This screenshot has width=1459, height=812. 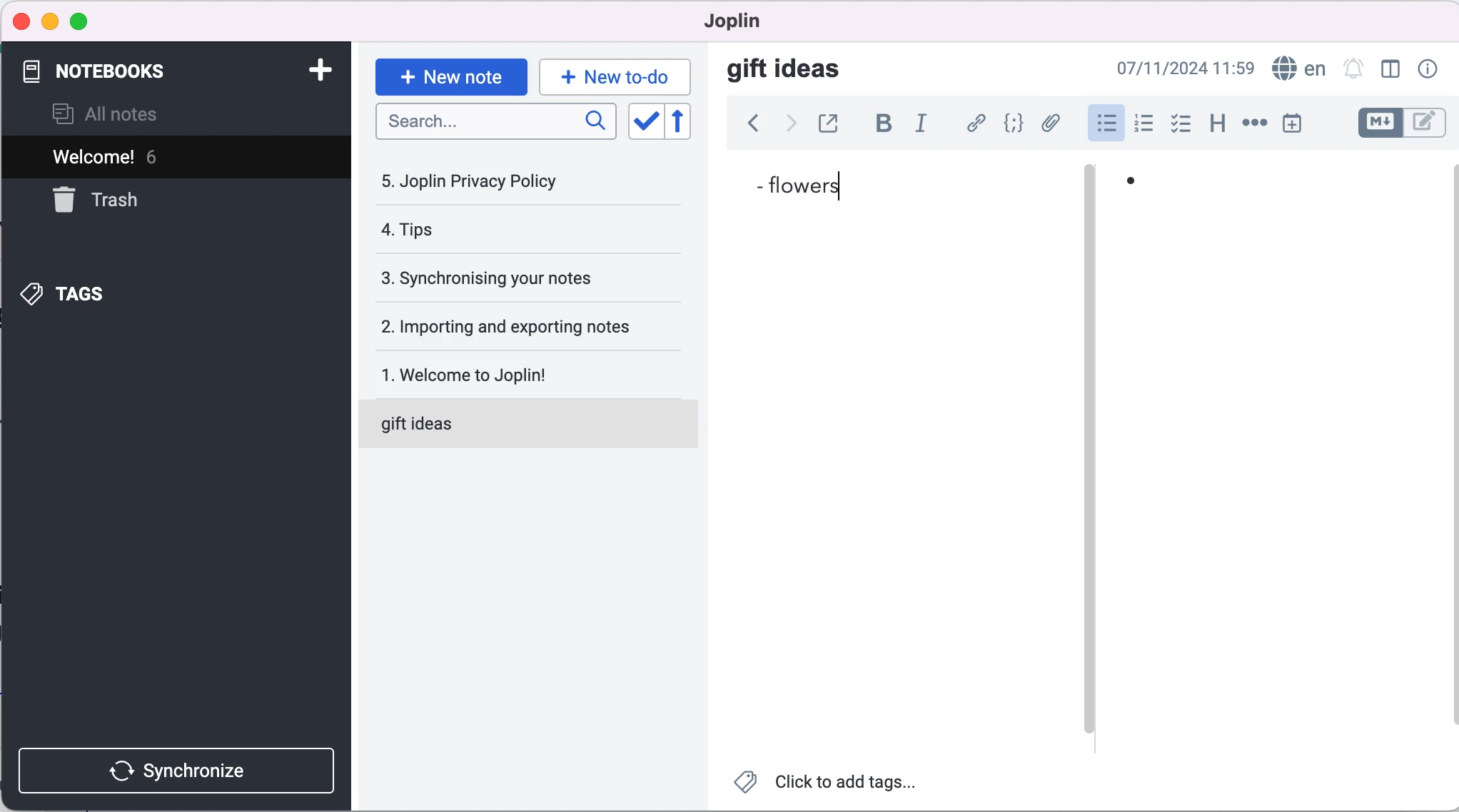 I want to click on heading, so click(x=1216, y=123).